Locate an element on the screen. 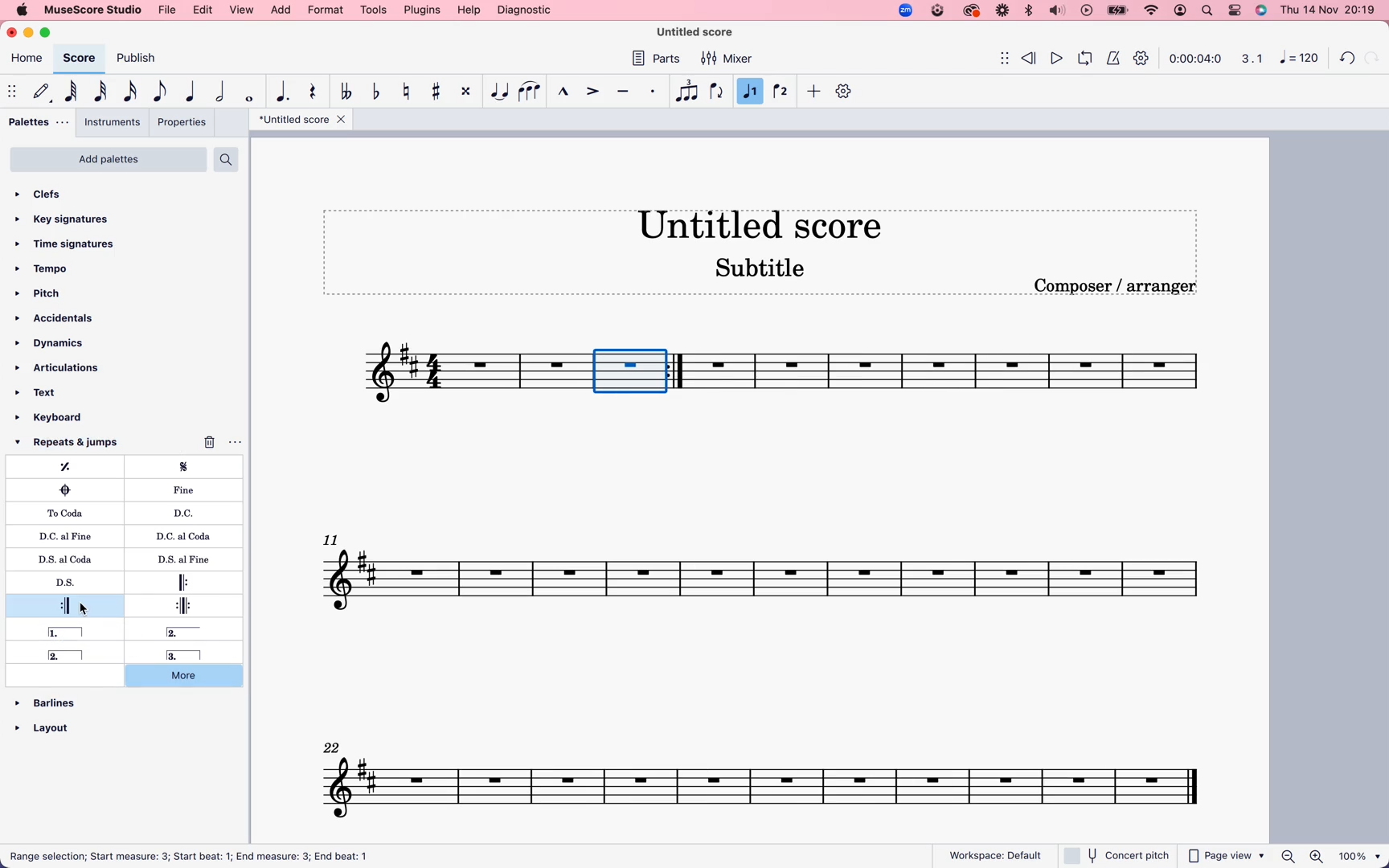 The width and height of the screenshot is (1389, 868). screen pal is located at coordinates (936, 12).